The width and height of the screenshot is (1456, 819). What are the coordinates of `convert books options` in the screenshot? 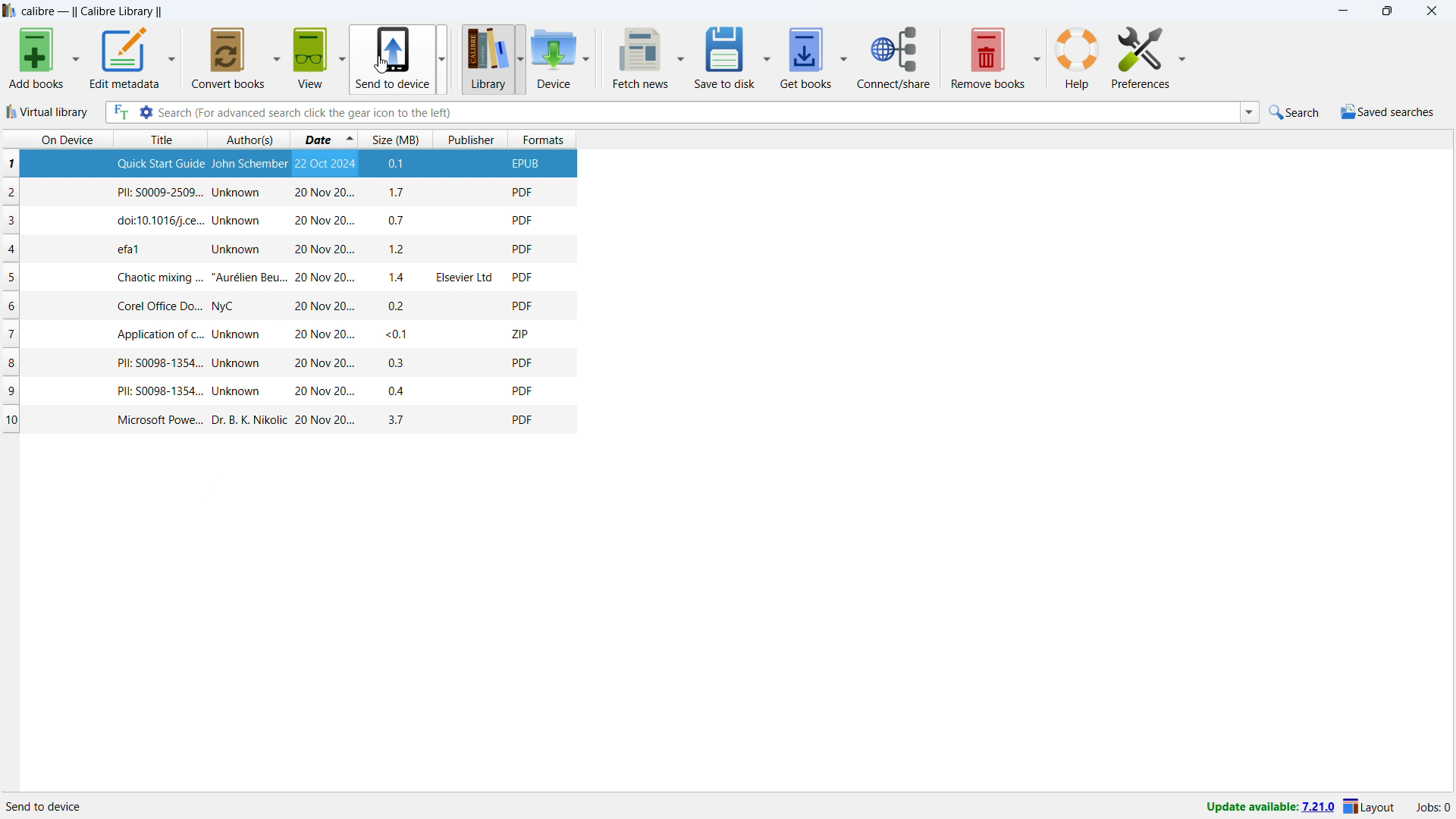 It's located at (276, 56).